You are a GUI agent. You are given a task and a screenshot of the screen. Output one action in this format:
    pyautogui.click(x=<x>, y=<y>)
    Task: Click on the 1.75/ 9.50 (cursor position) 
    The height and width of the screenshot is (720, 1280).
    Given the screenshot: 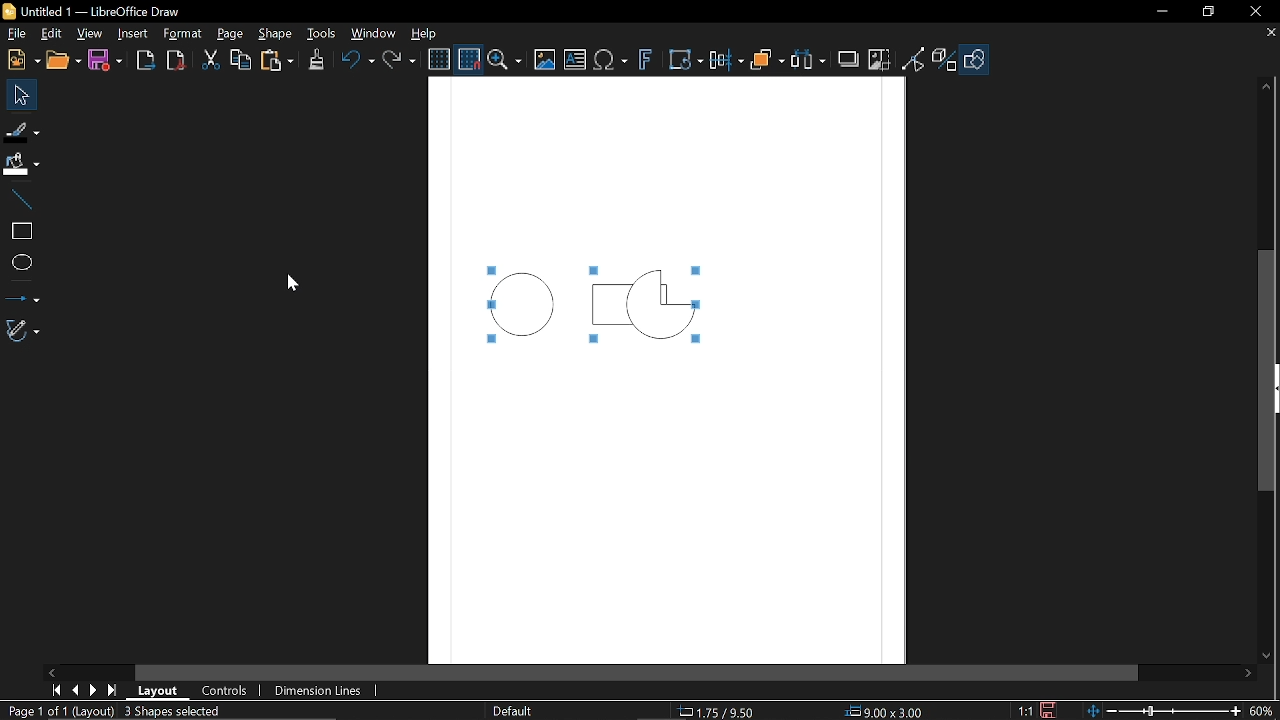 What is the action you would take?
    pyautogui.click(x=717, y=711)
    